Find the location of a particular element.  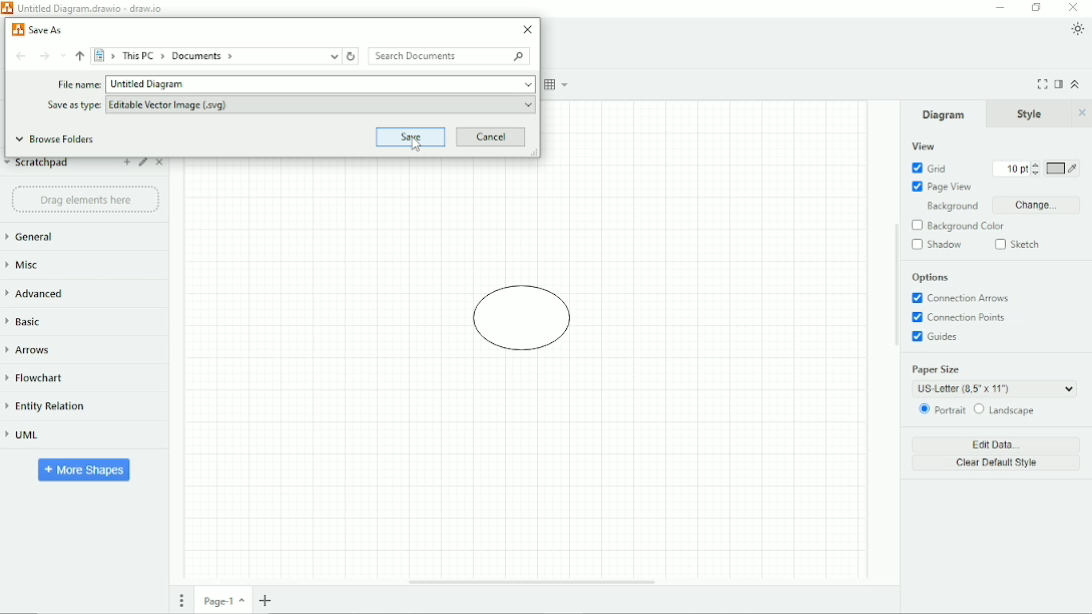

Restore down is located at coordinates (1036, 8).